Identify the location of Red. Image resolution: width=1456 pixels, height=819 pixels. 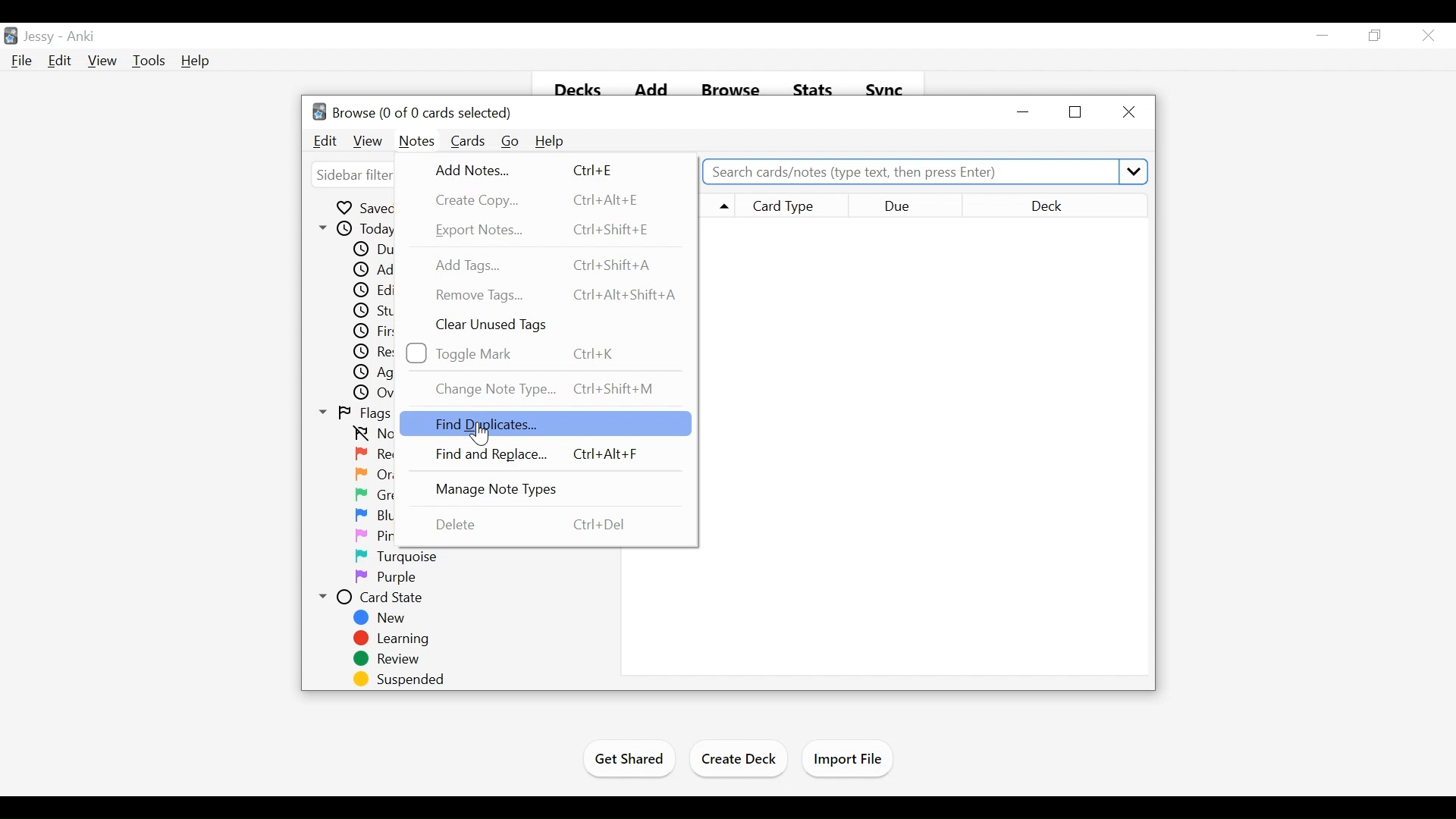
(380, 455).